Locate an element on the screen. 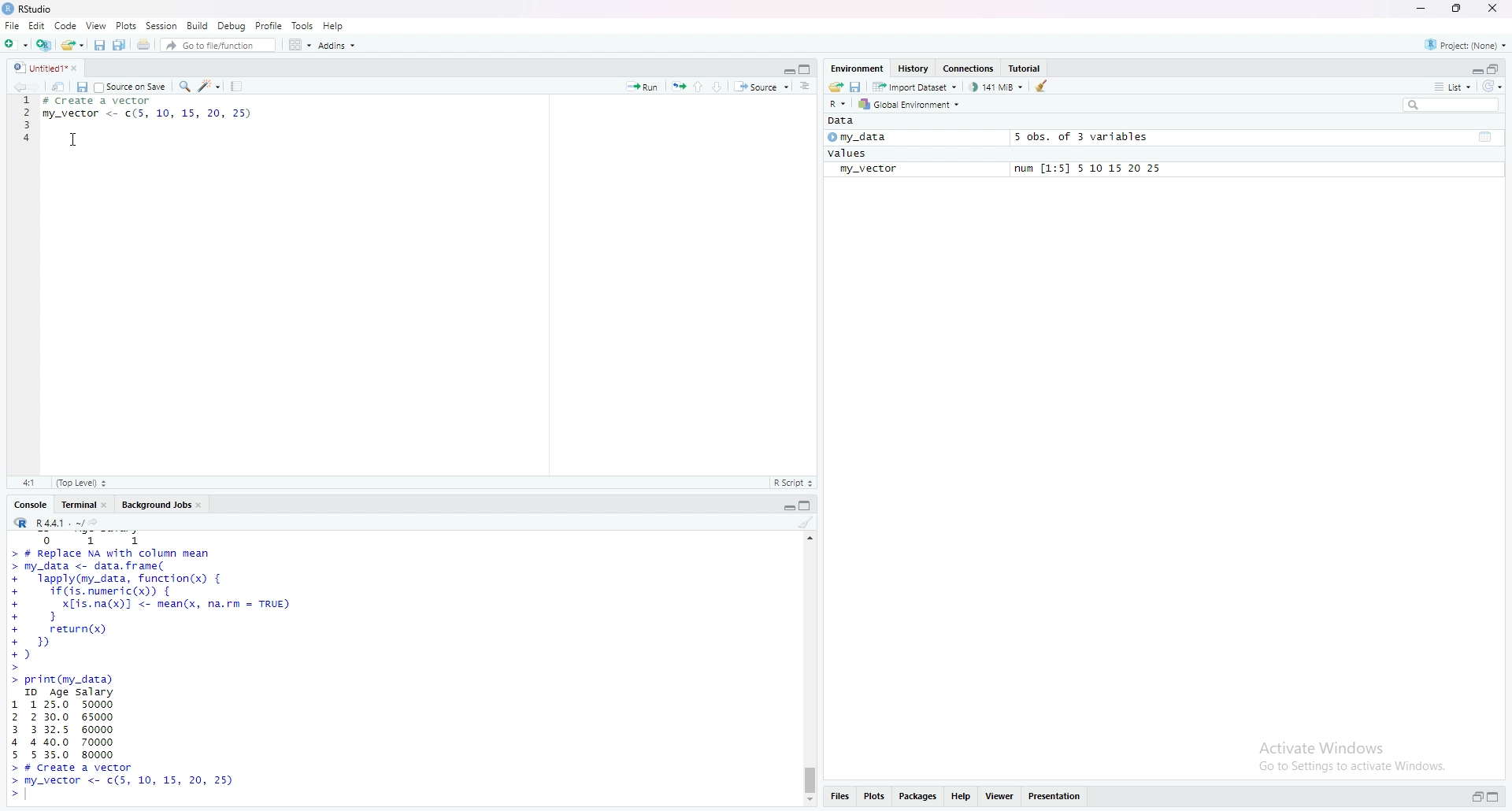 The width and height of the screenshot is (1512, 811). History is located at coordinates (914, 67).